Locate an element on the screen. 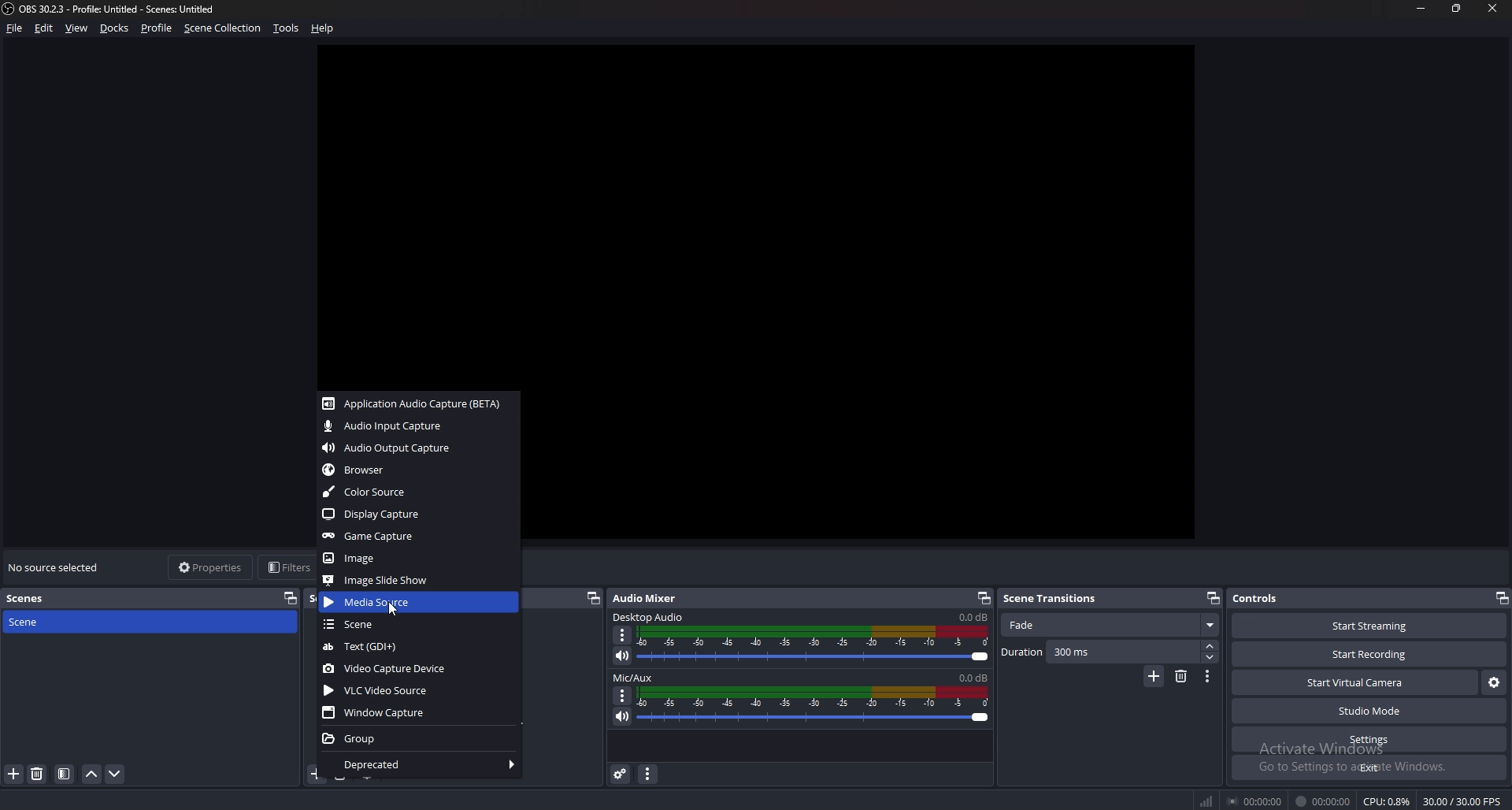  Edit is located at coordinates (46, 28).